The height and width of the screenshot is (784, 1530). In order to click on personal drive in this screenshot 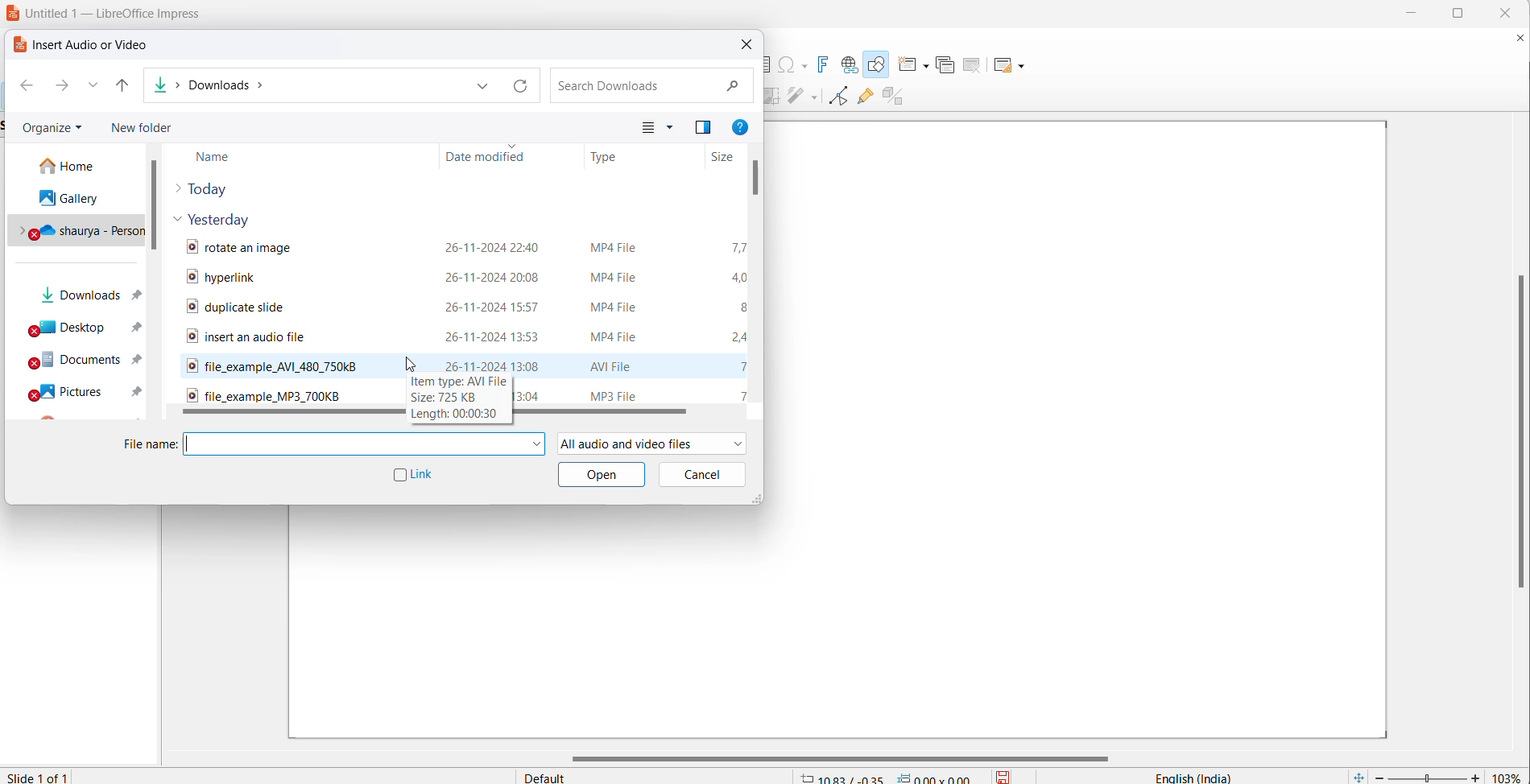, I will do `click(84, 230)`.